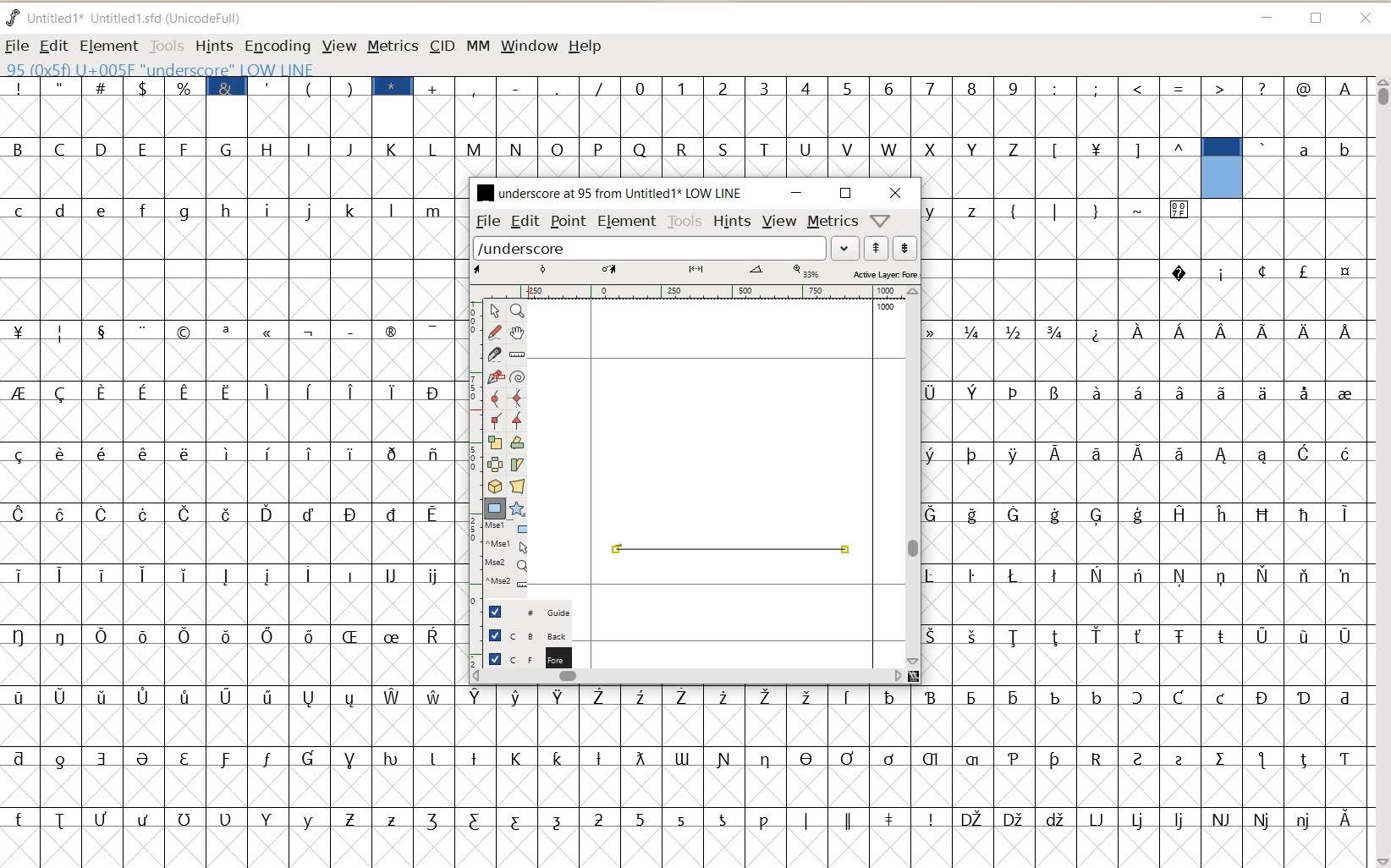 The width and height of the screenshot is (1391, 868). I want to click on cursor events on the opened outline window, so click(507, 556).